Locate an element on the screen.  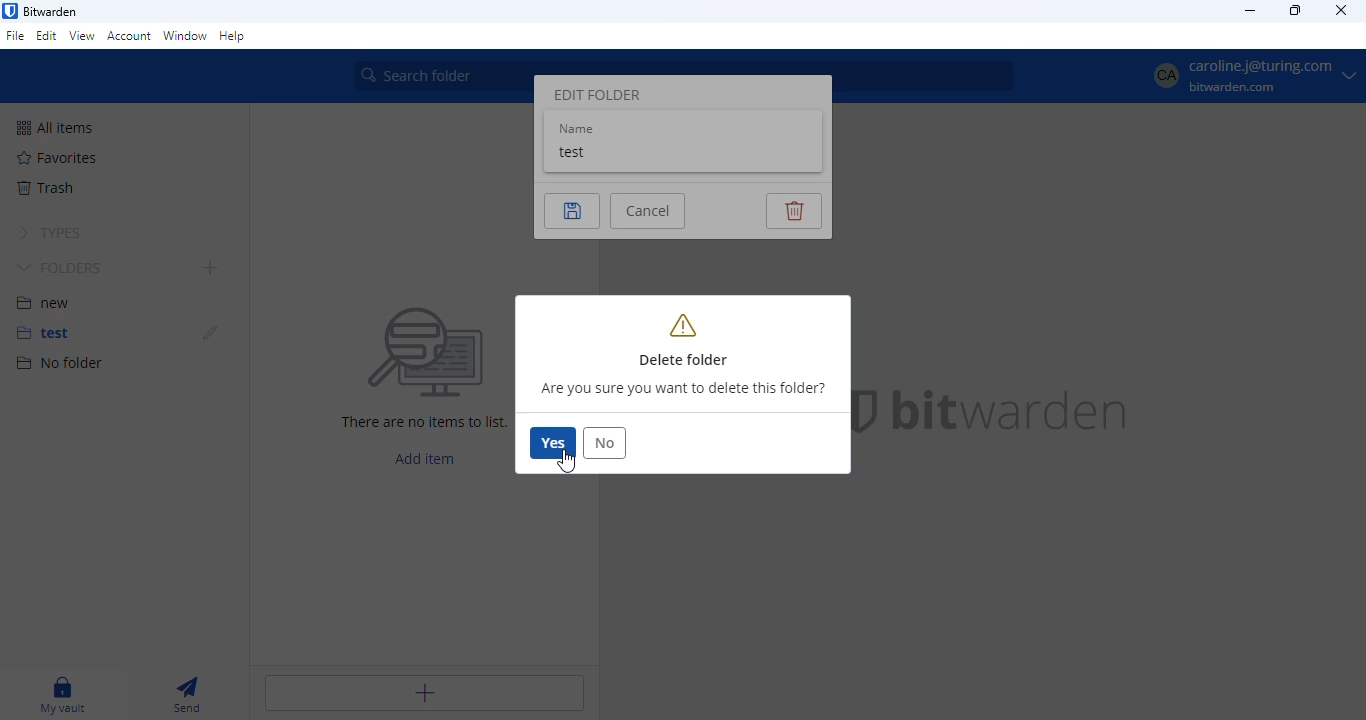
logo is located at coordinates (10, 11).